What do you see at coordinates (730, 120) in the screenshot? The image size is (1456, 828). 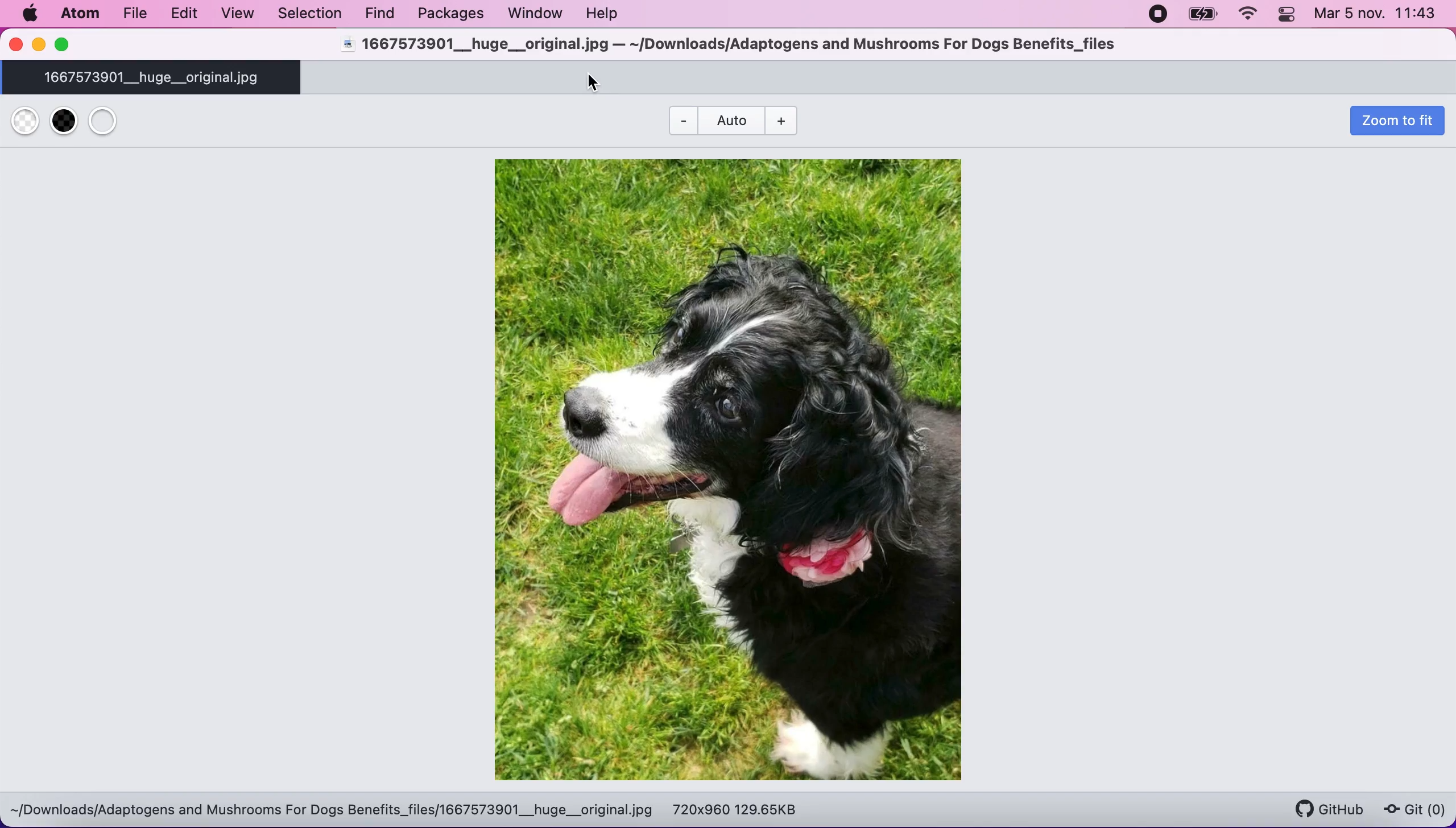 I see `auto` at bounding box center [730, 120].